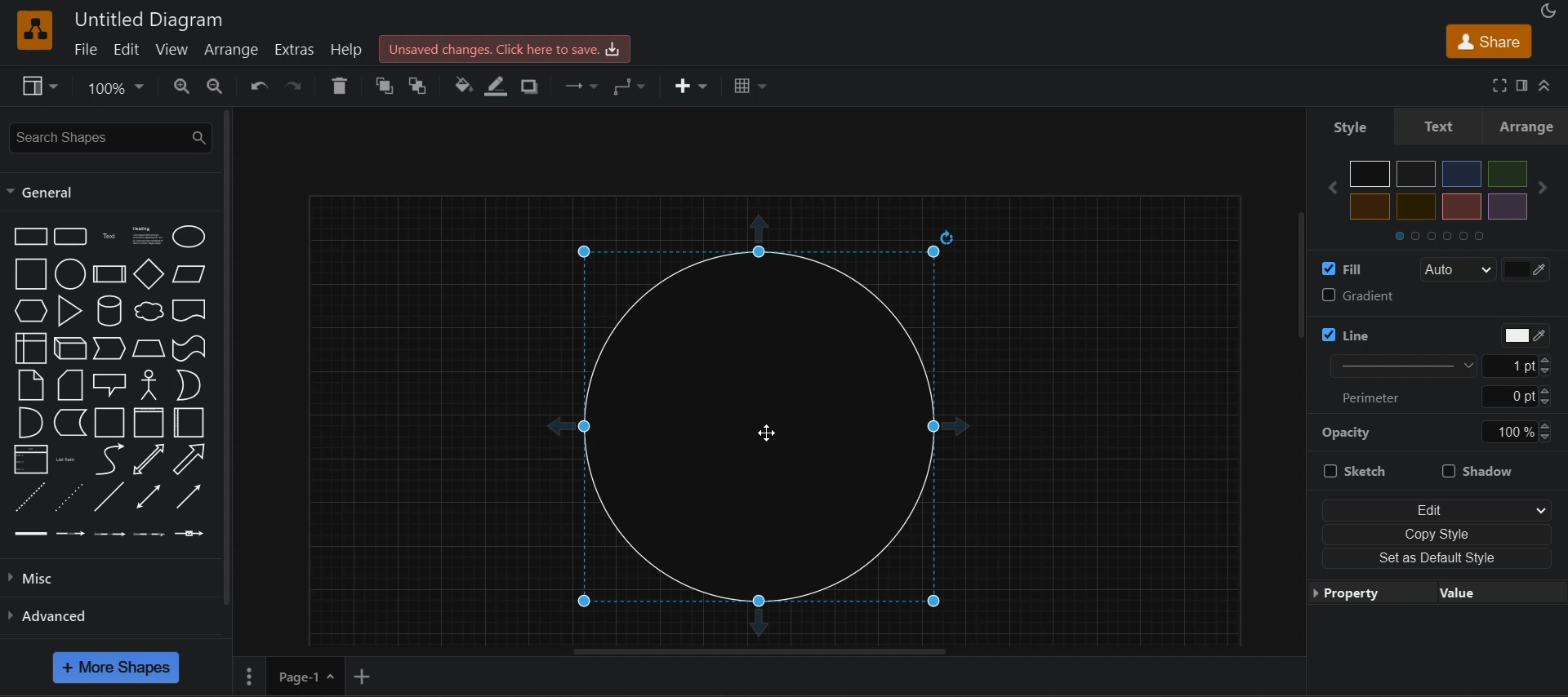  Describe the element at coordinates (190, 274) in the screenshot. I see `parallelogram` at that location.